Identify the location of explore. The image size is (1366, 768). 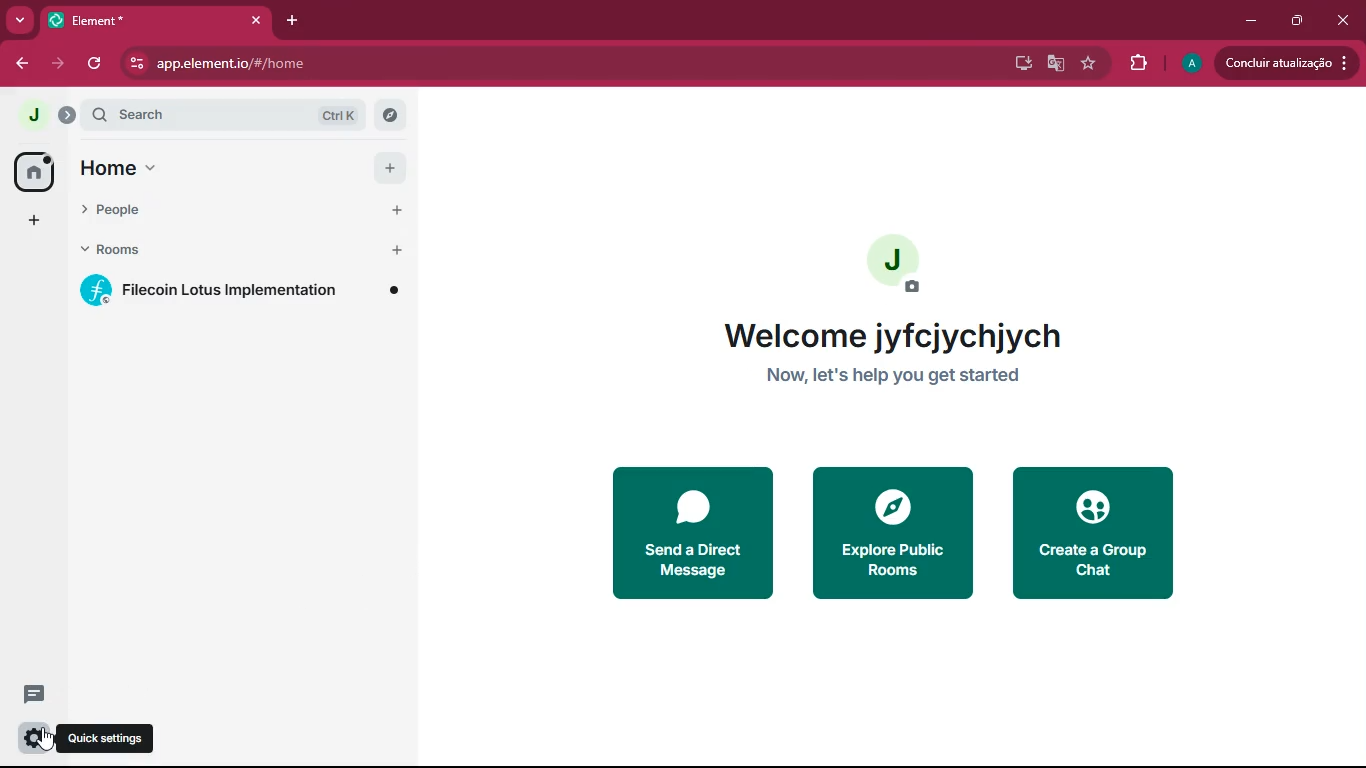
(390, 118).